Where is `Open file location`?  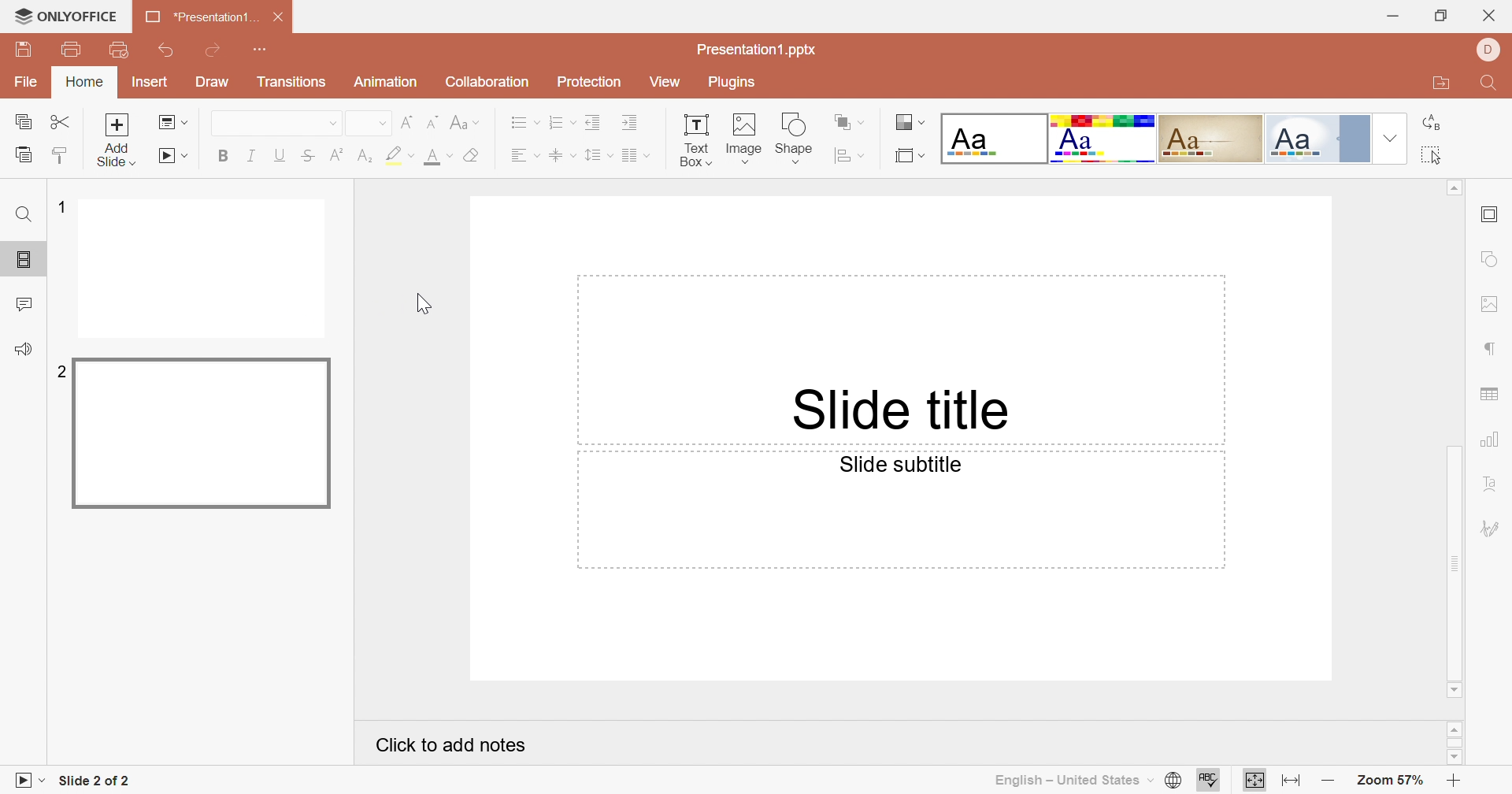 Open file location is located at coordinates (1440, 86).